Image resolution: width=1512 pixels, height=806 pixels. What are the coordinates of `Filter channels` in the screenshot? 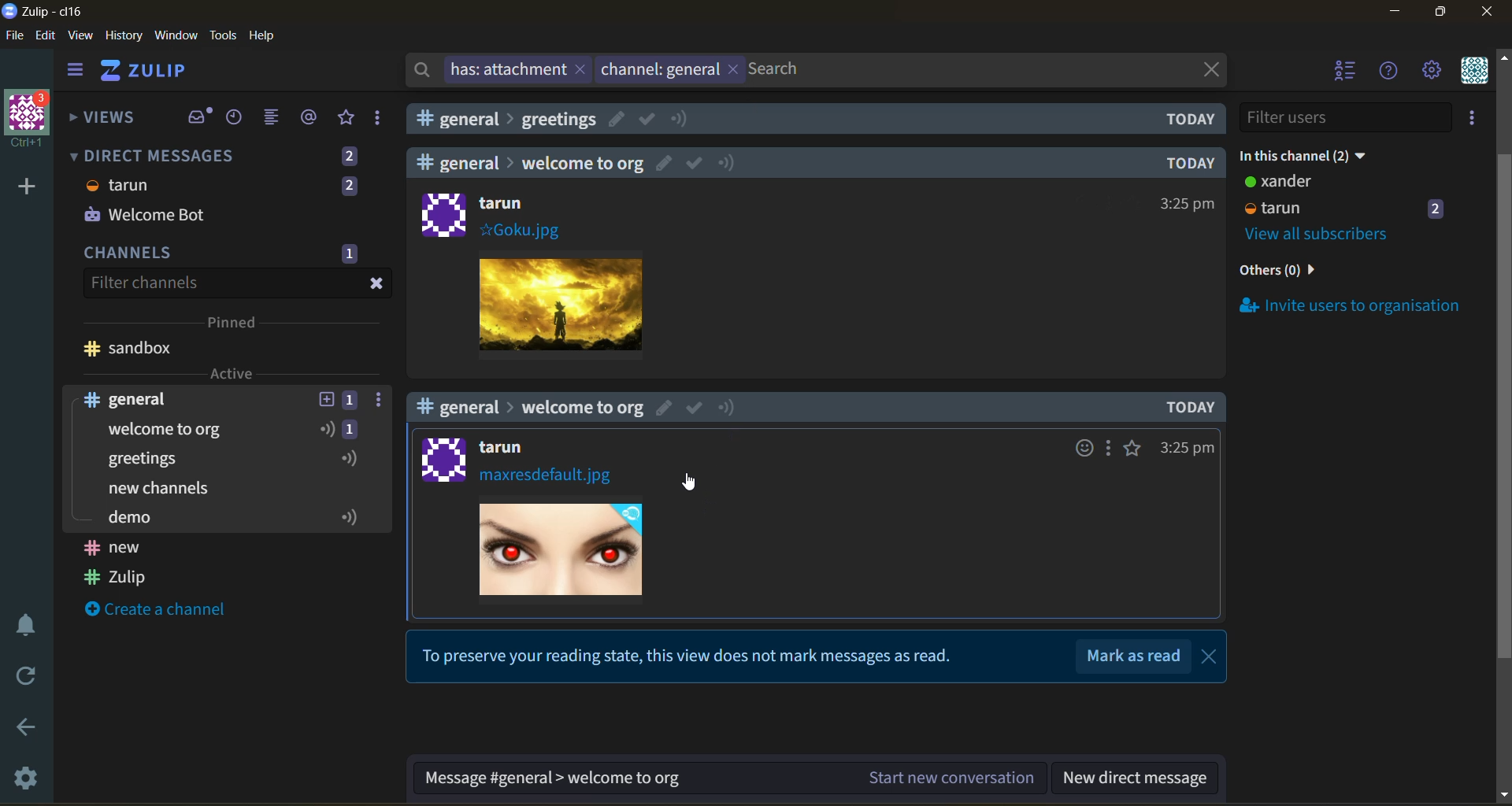 It's located at (143, 283).